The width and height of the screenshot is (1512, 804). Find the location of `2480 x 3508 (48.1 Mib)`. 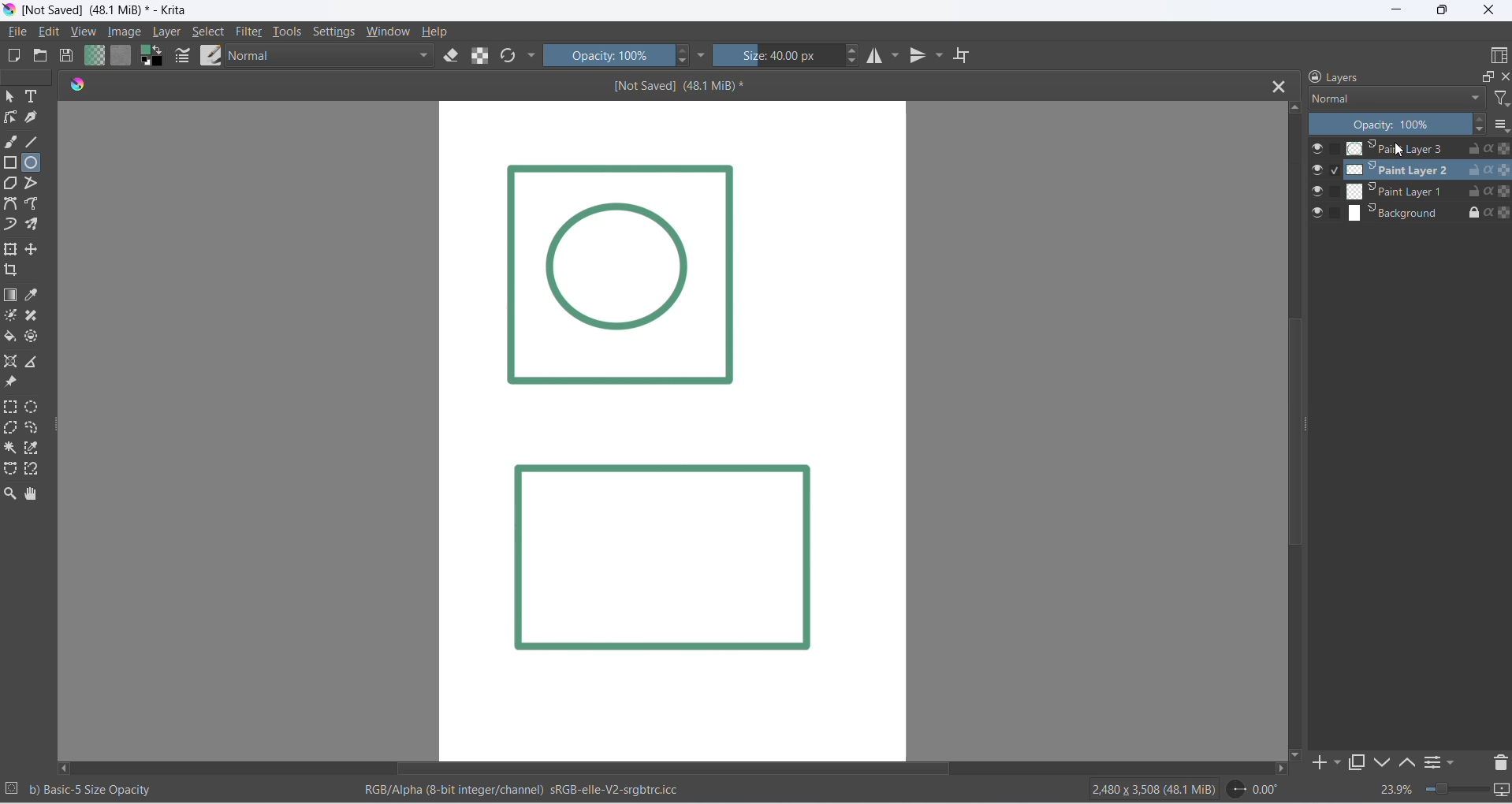

2480 x 3508 (48.1 Mib) is located at coordinates (1141, 791).